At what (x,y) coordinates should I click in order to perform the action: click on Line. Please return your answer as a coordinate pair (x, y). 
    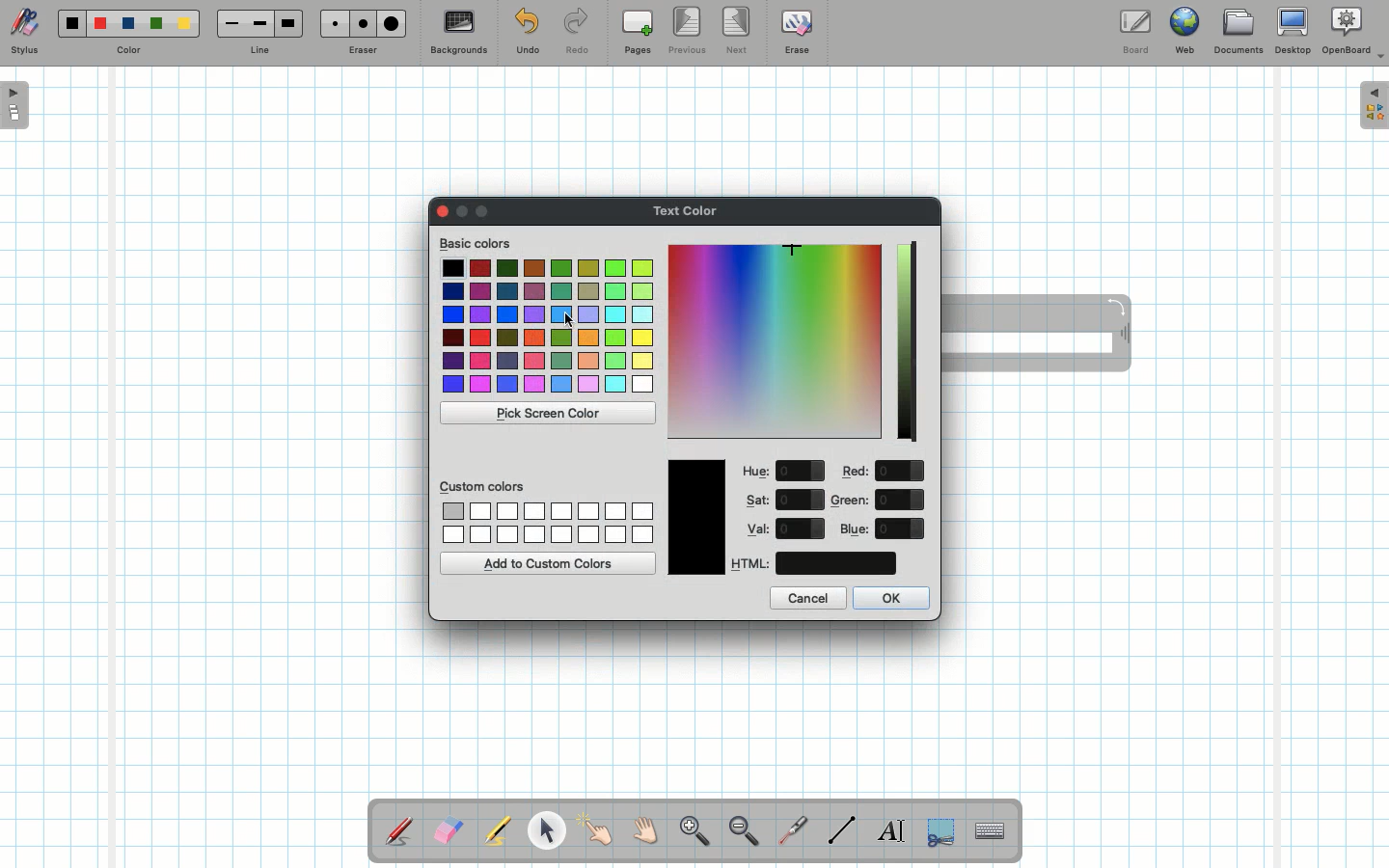
    Looking at the image, I should click on (842, 829).